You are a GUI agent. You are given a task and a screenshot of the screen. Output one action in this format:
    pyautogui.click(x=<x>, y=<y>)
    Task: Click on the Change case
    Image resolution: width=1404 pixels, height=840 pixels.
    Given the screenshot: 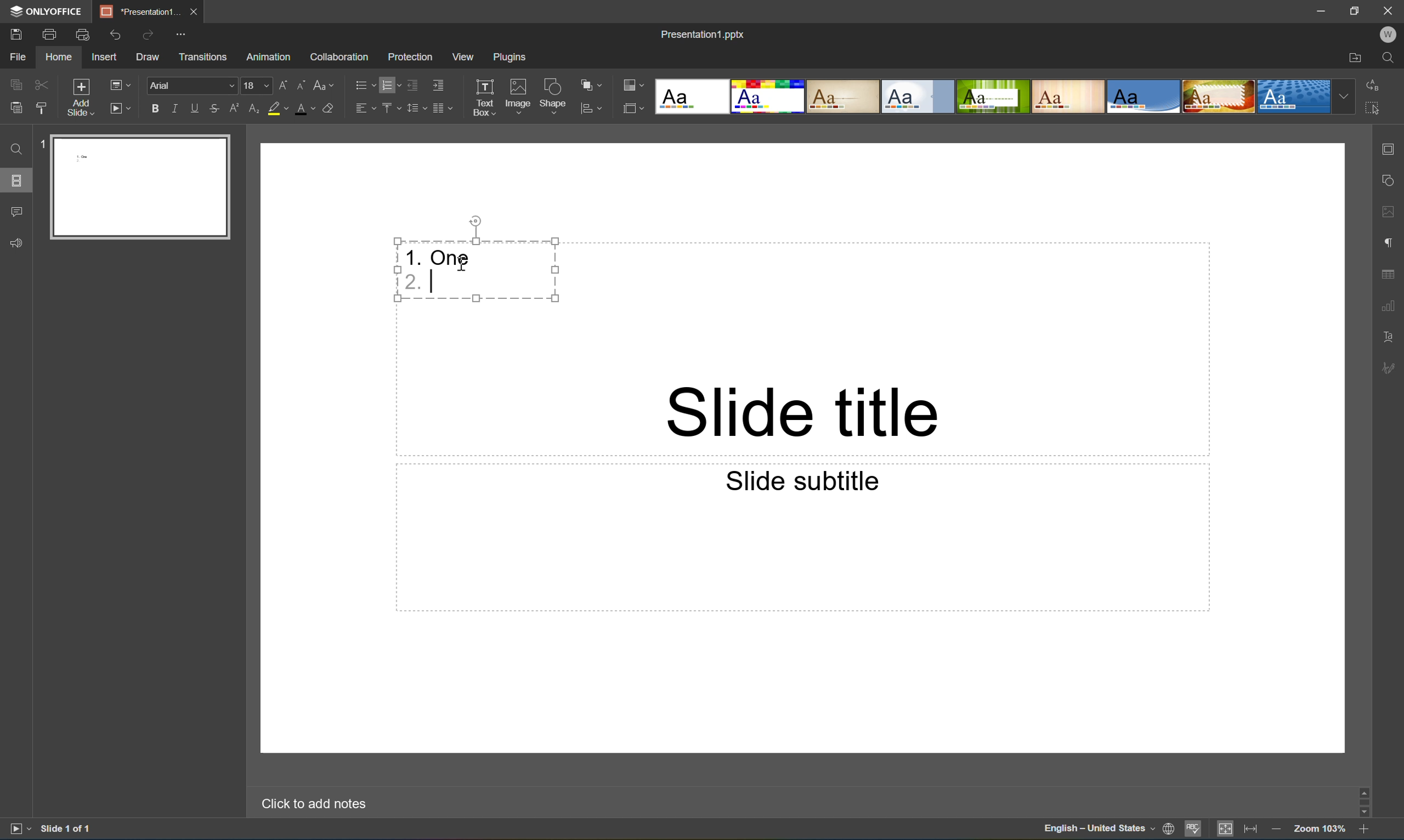 What is the action you would take?
    pyautogui.click(x=320, y=85)
    